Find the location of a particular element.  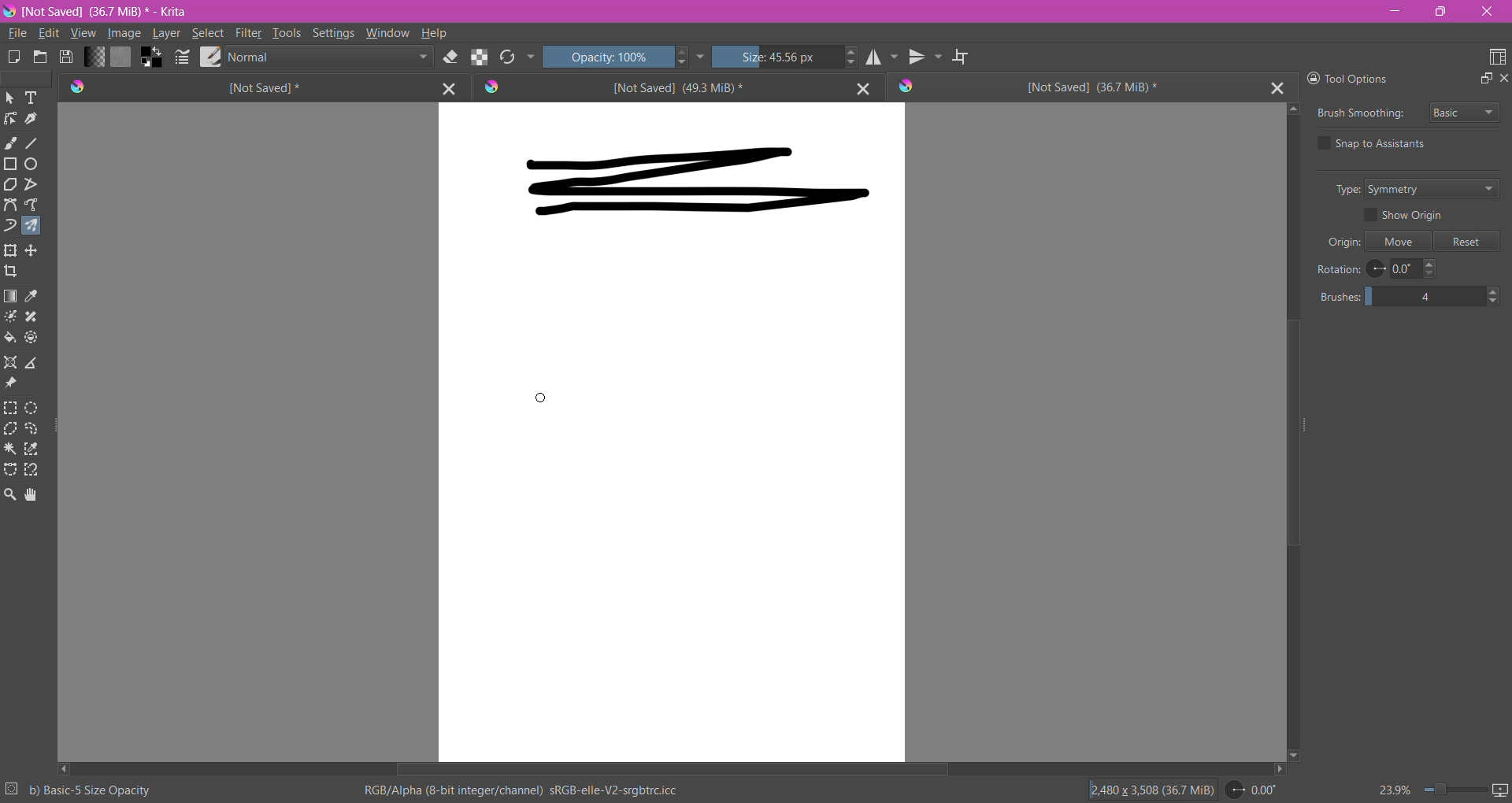

Float Docker is located at coordinates (1484, 79).